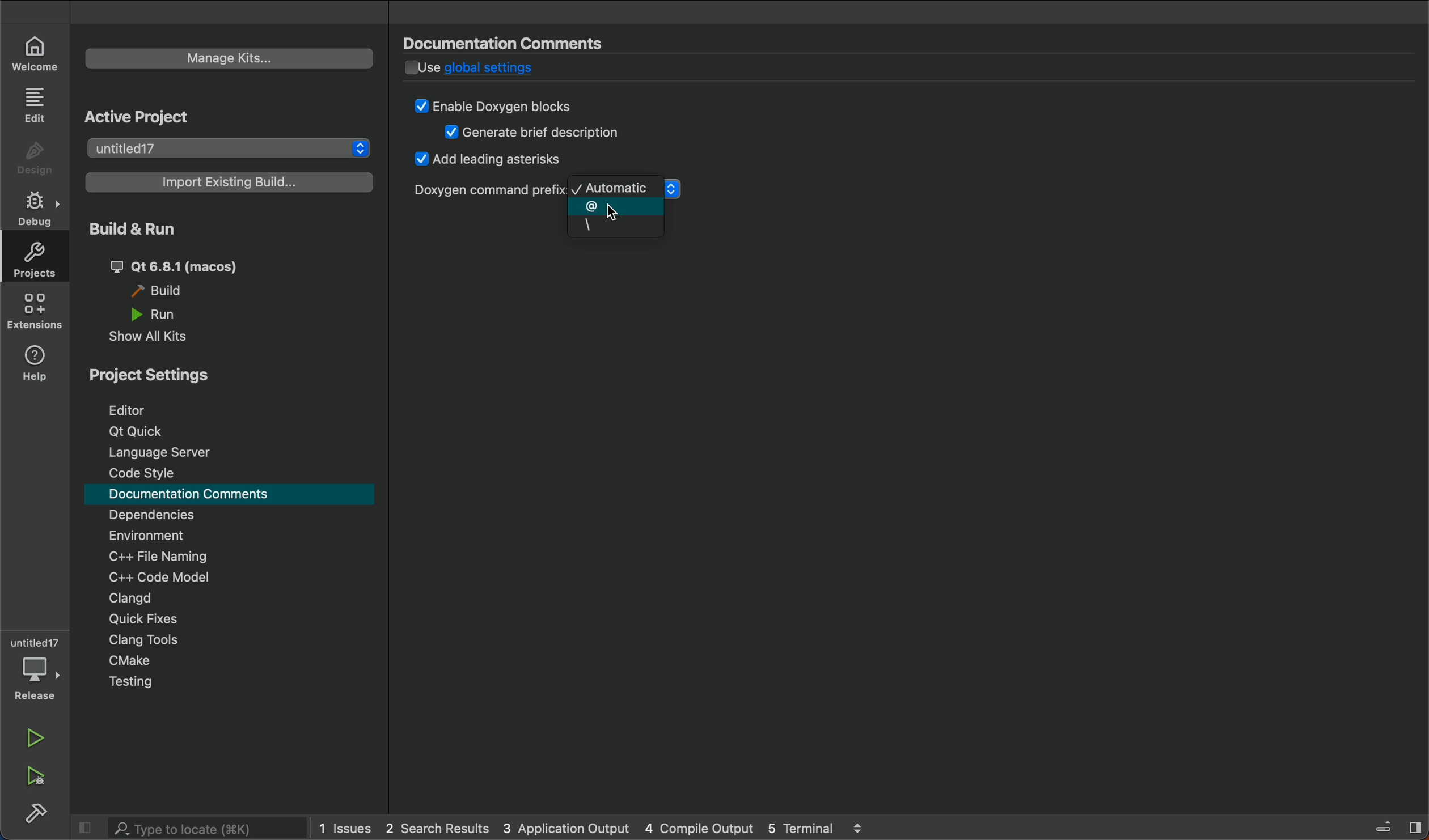 The height and width of the screenshot is (840, 1429). Describe the element at coordinates (129, 658) in the screenshot. I see `cmake` at that location.